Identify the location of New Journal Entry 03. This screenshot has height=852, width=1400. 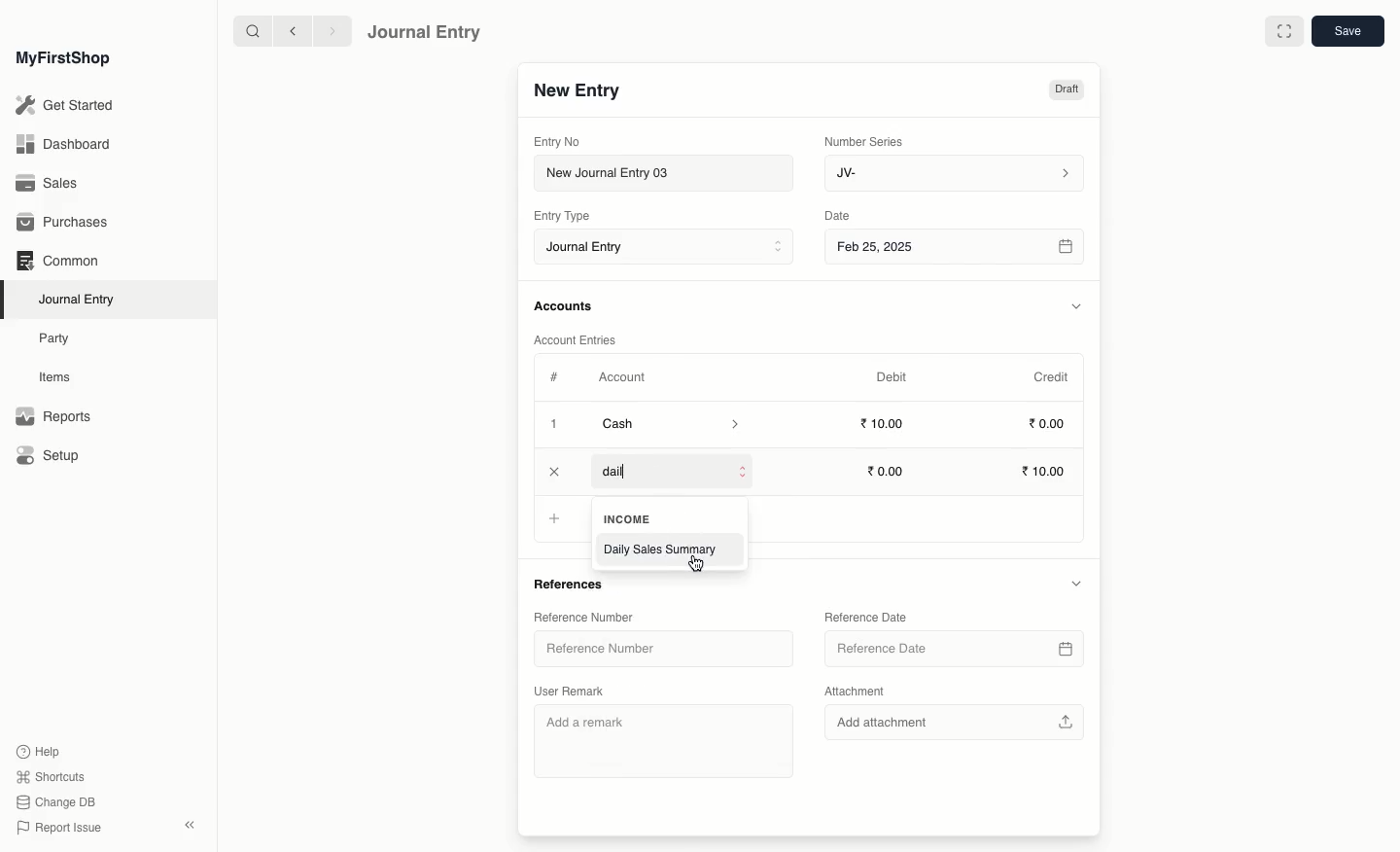
(669, 174).